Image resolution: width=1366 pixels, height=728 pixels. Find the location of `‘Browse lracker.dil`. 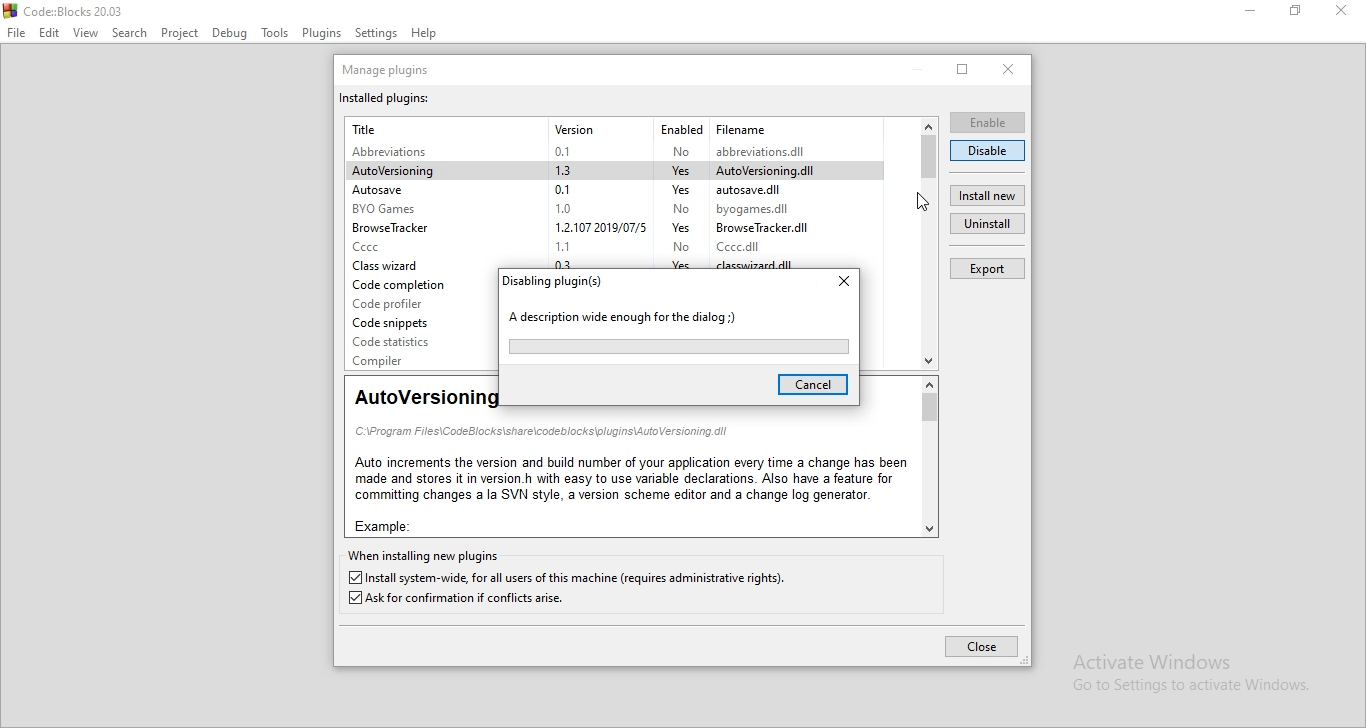

‘Browse lracker.dil is located at coordinates (766, 227).